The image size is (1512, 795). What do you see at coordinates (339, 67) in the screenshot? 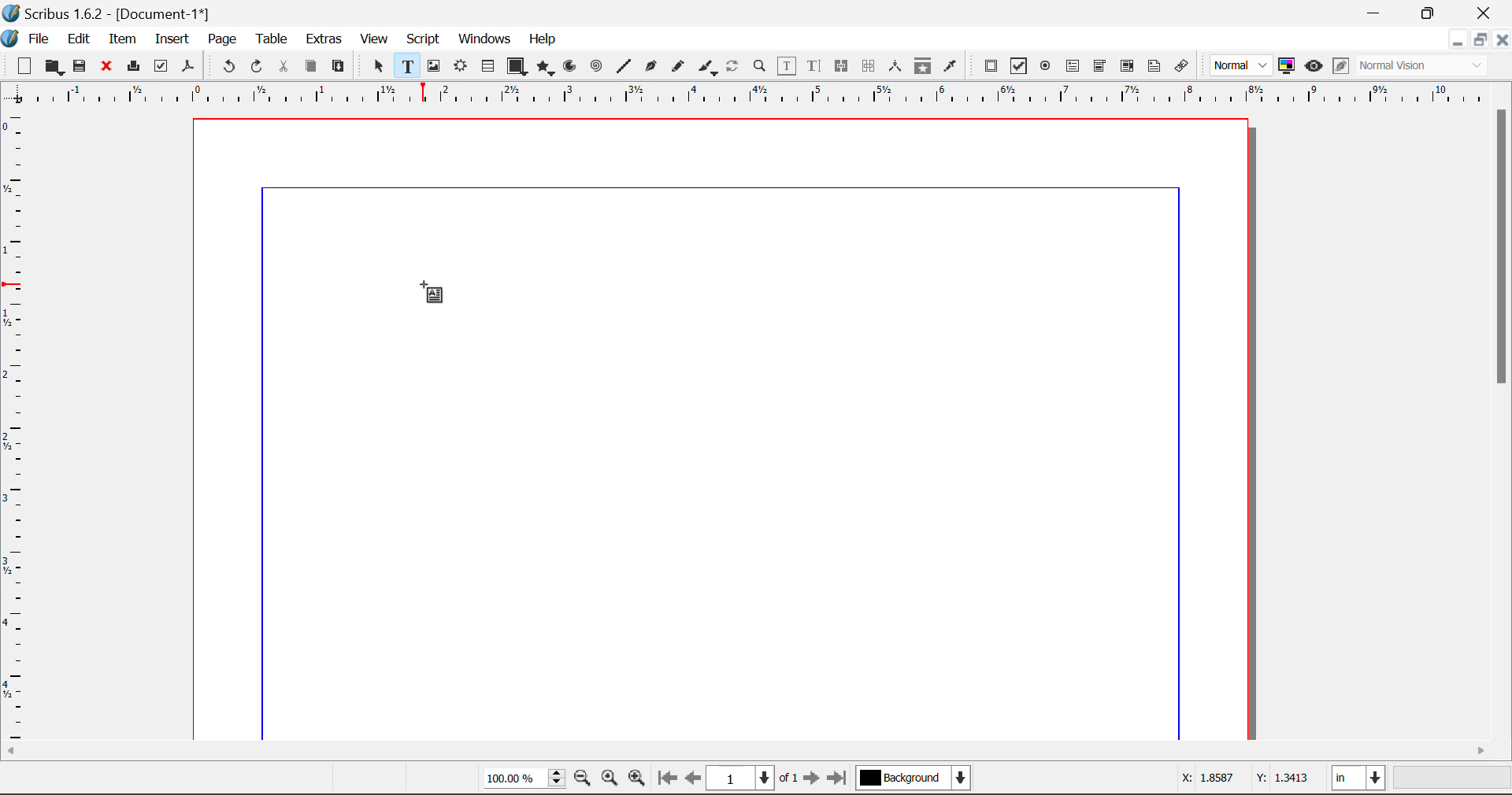
I see `Paste` at bounding box center [339, 67].